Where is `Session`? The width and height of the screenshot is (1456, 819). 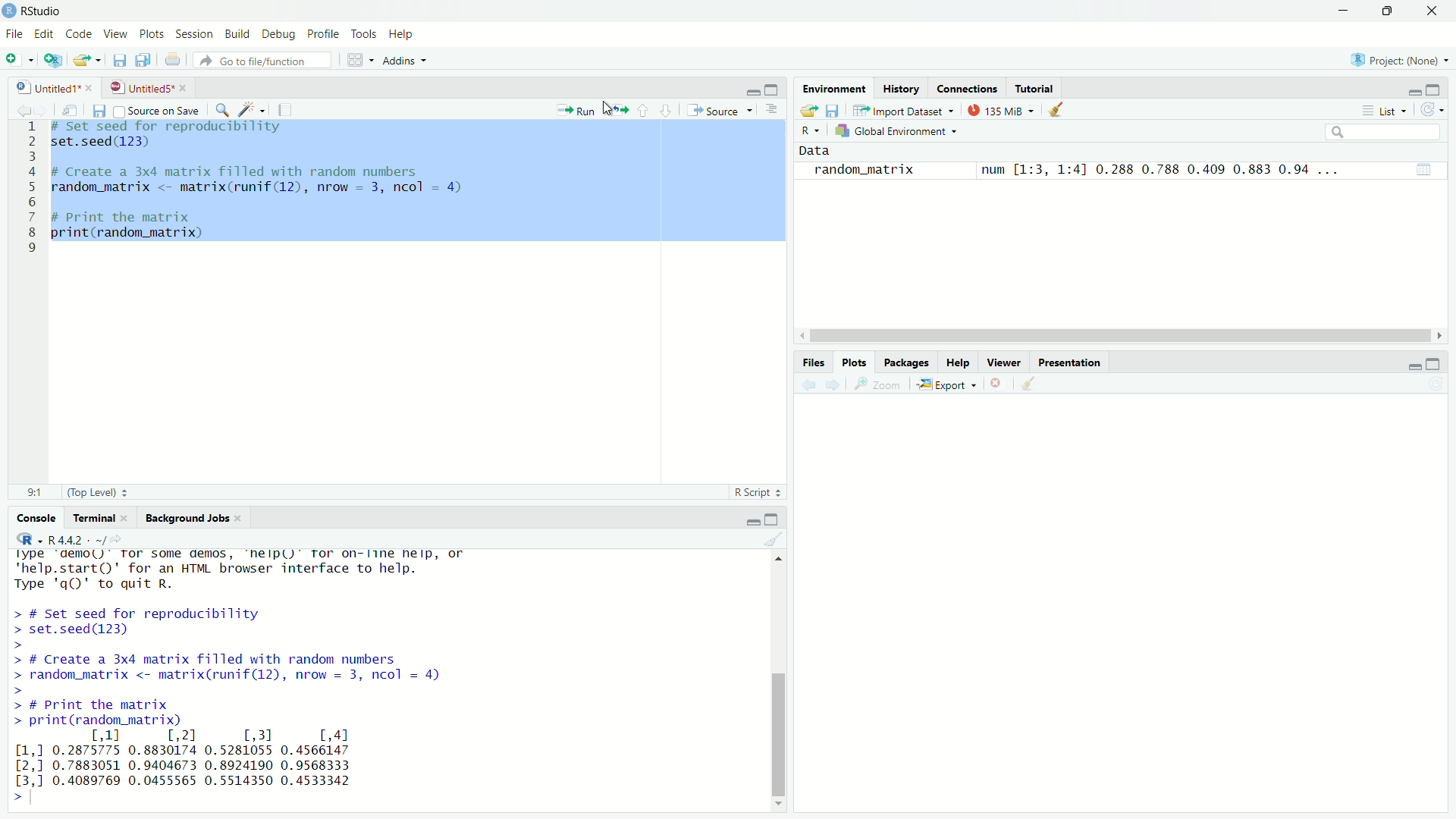
Session is located at coordinates (199, 36).